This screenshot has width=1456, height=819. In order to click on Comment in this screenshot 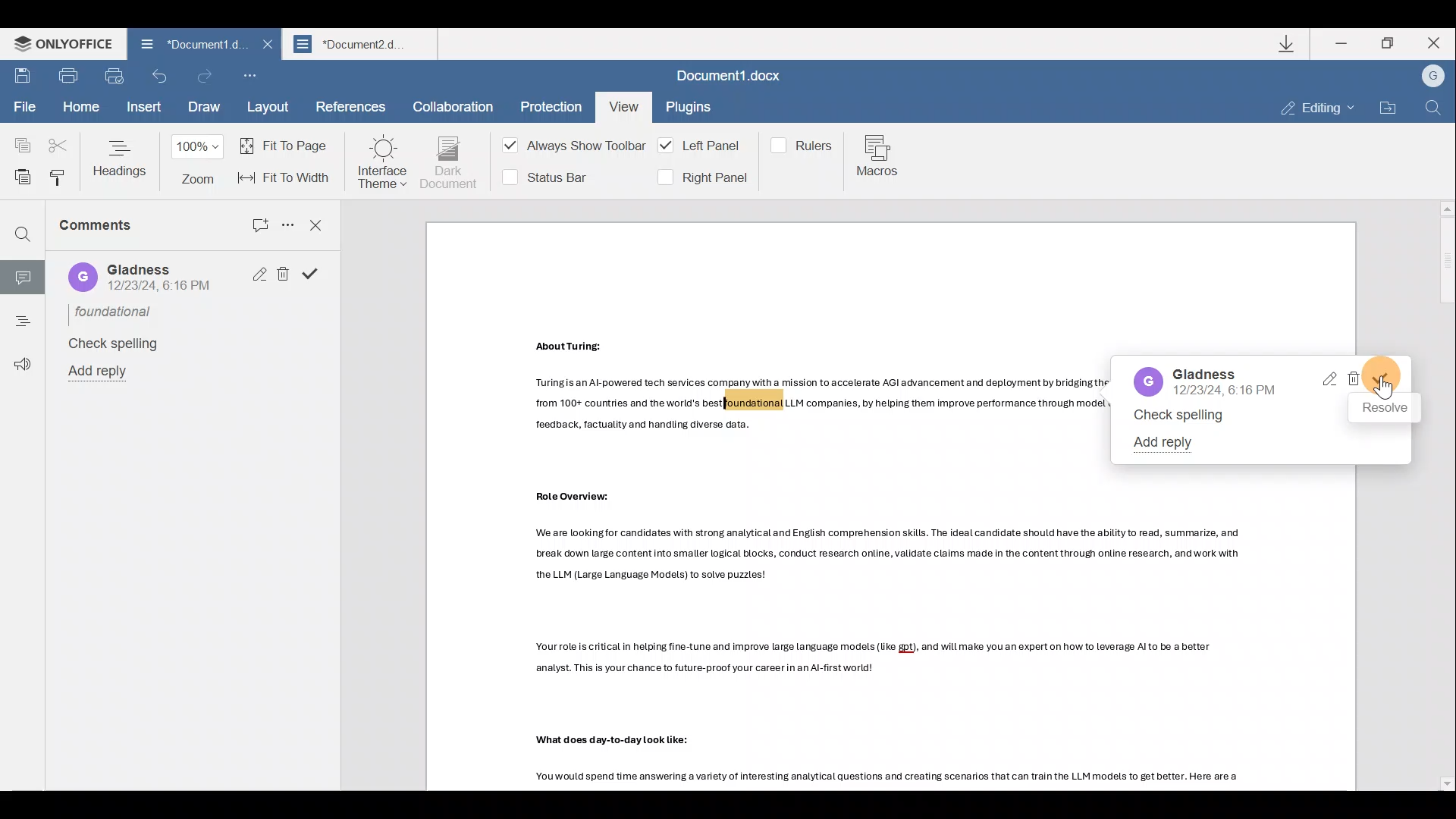, I will do `click(22, 275)`.